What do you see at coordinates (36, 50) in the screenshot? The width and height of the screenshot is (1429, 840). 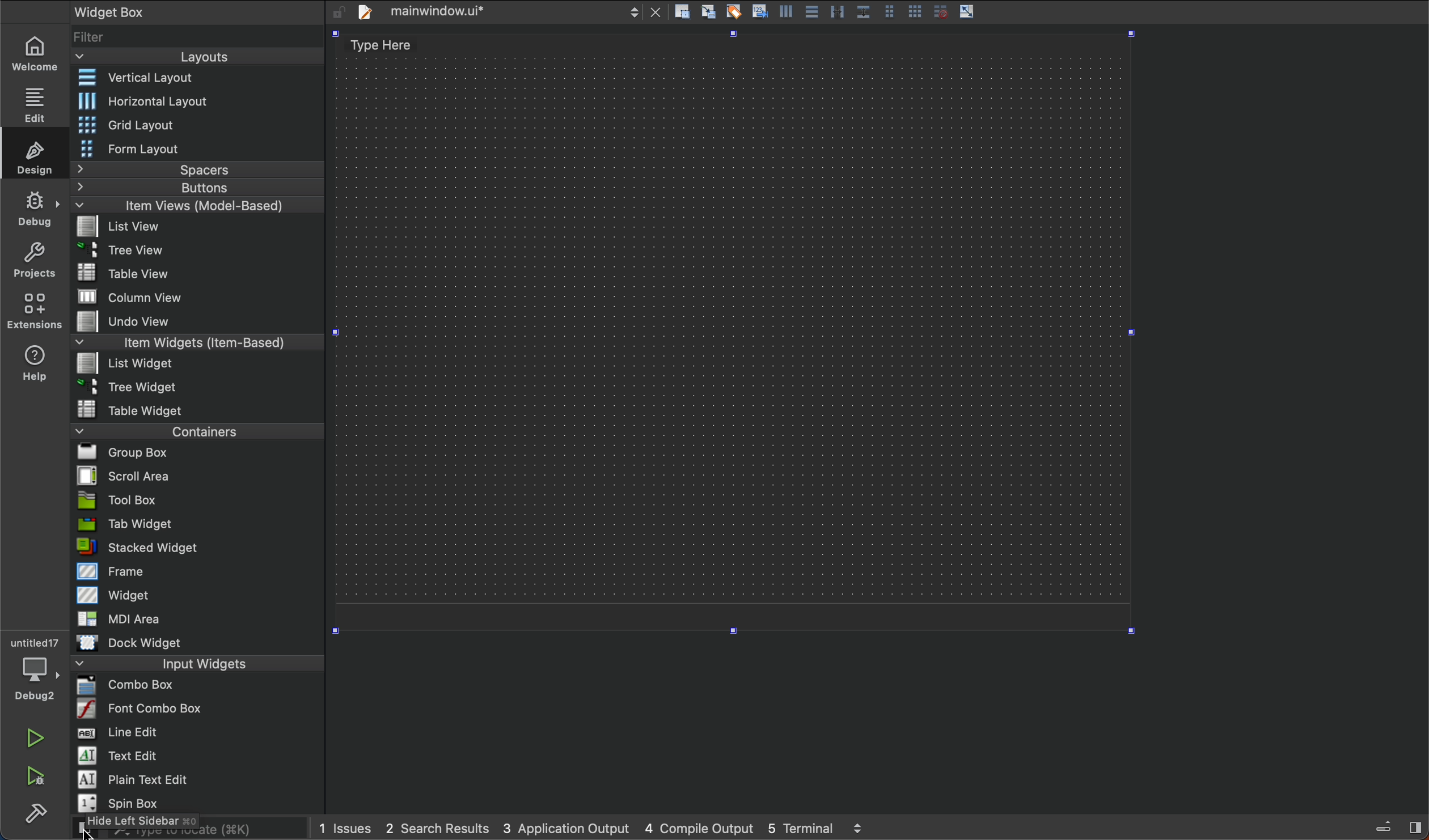 I see `welcome` at bounding box center [36, 50].